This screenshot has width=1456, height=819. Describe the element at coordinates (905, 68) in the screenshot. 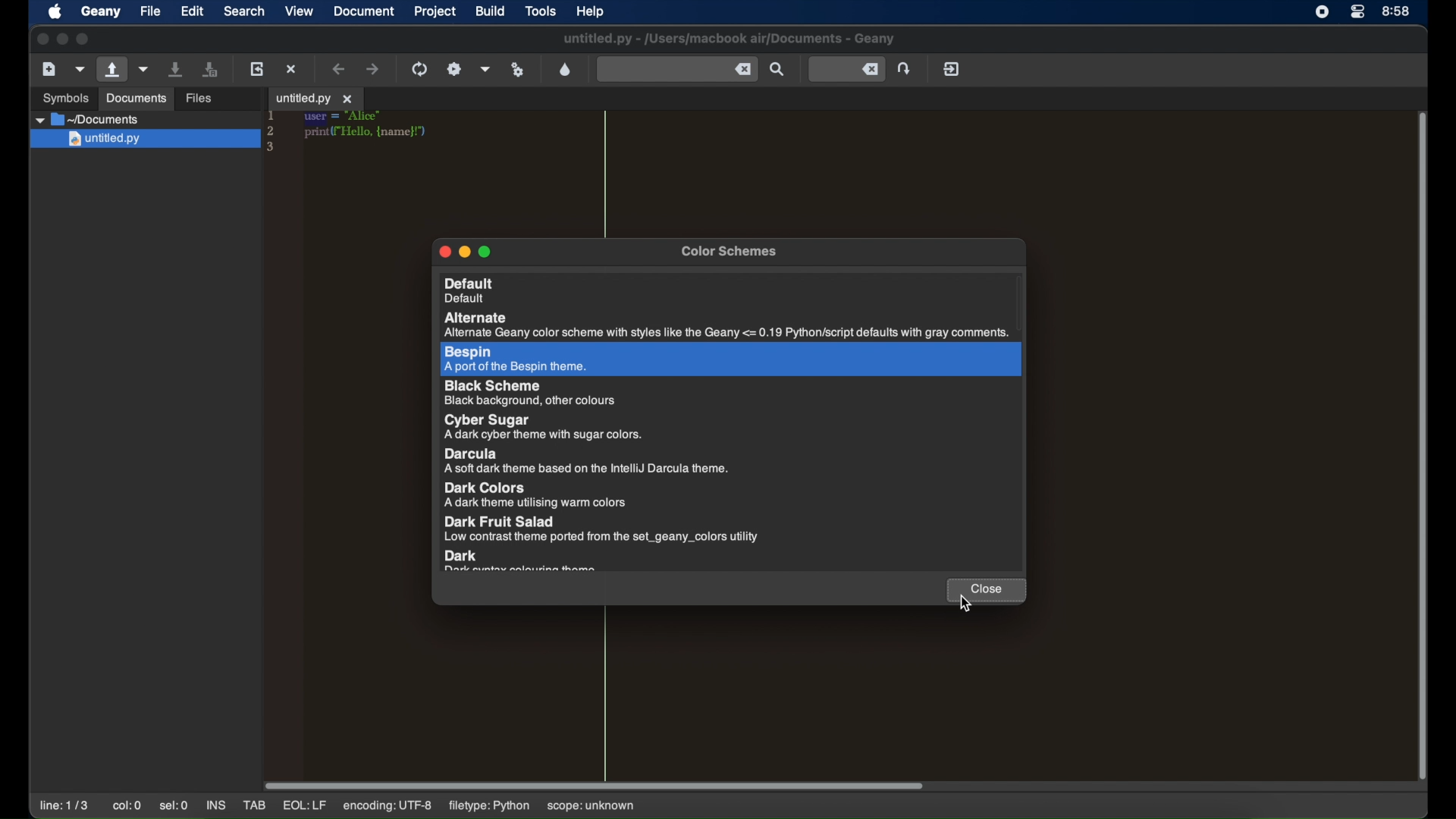

I see `jump to the entered line number` at that location.